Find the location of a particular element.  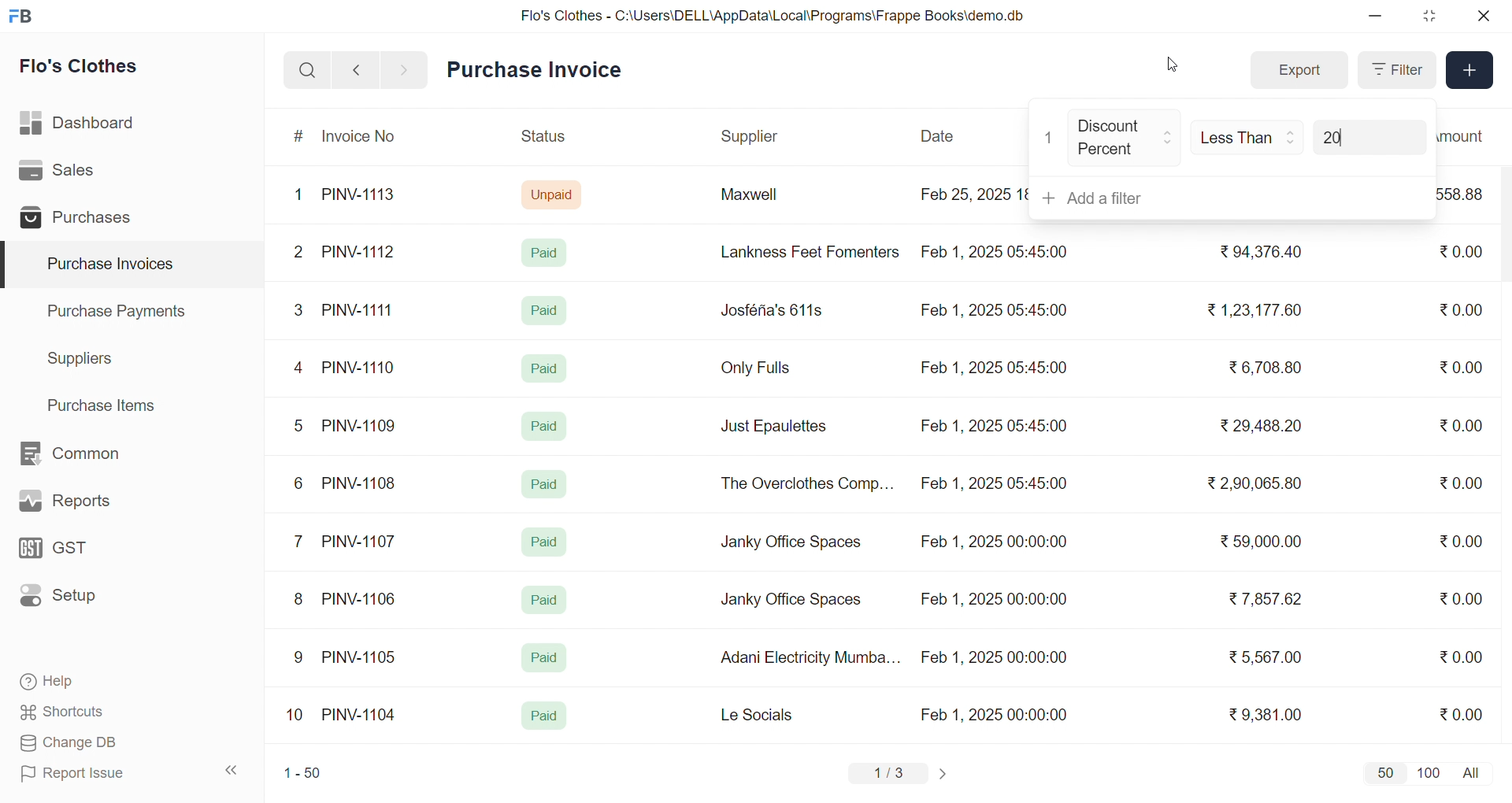

Paid is located at coordinates (543, 367).